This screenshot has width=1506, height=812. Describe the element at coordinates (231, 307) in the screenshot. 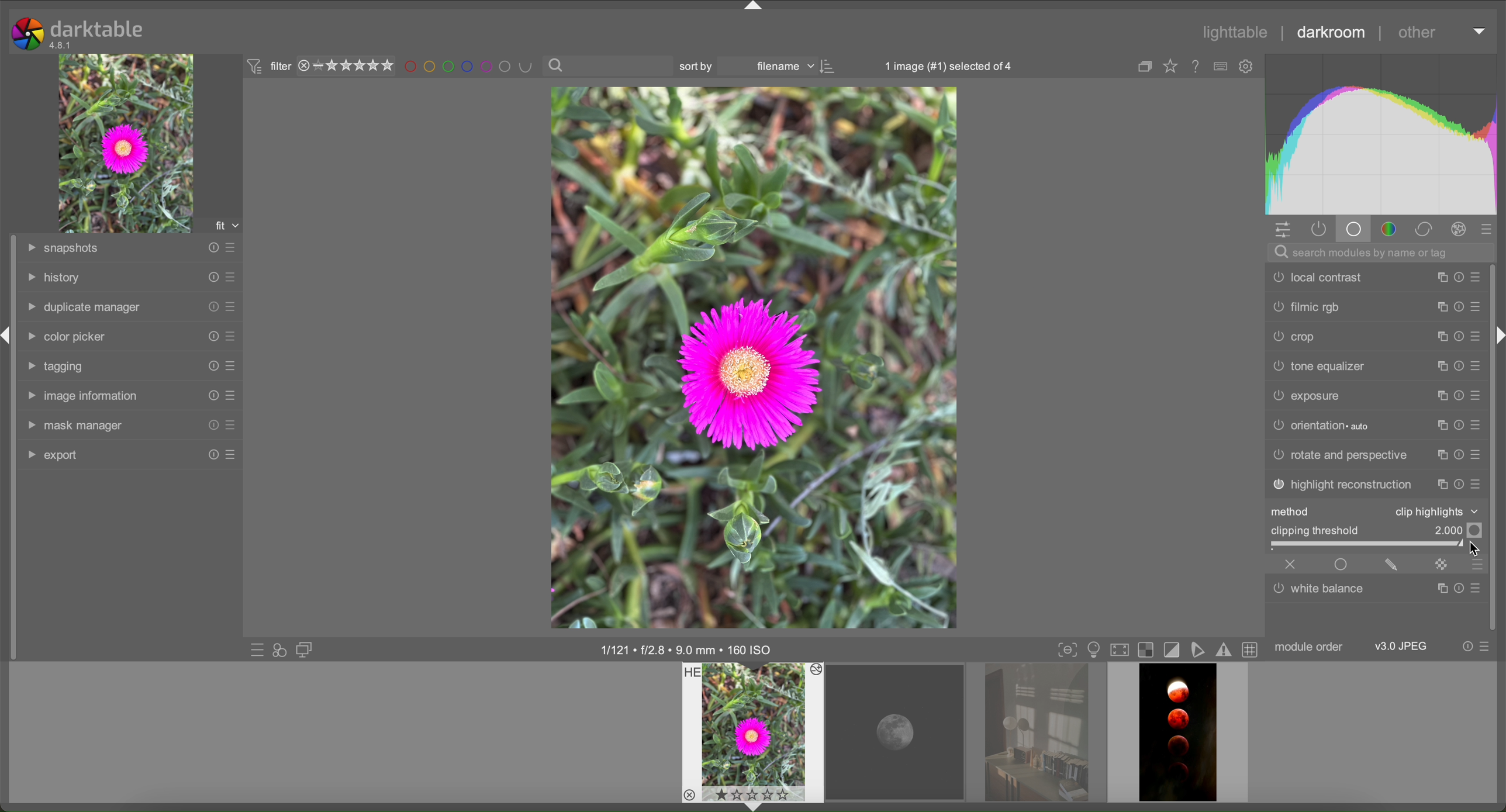

I see `presets` at that location.